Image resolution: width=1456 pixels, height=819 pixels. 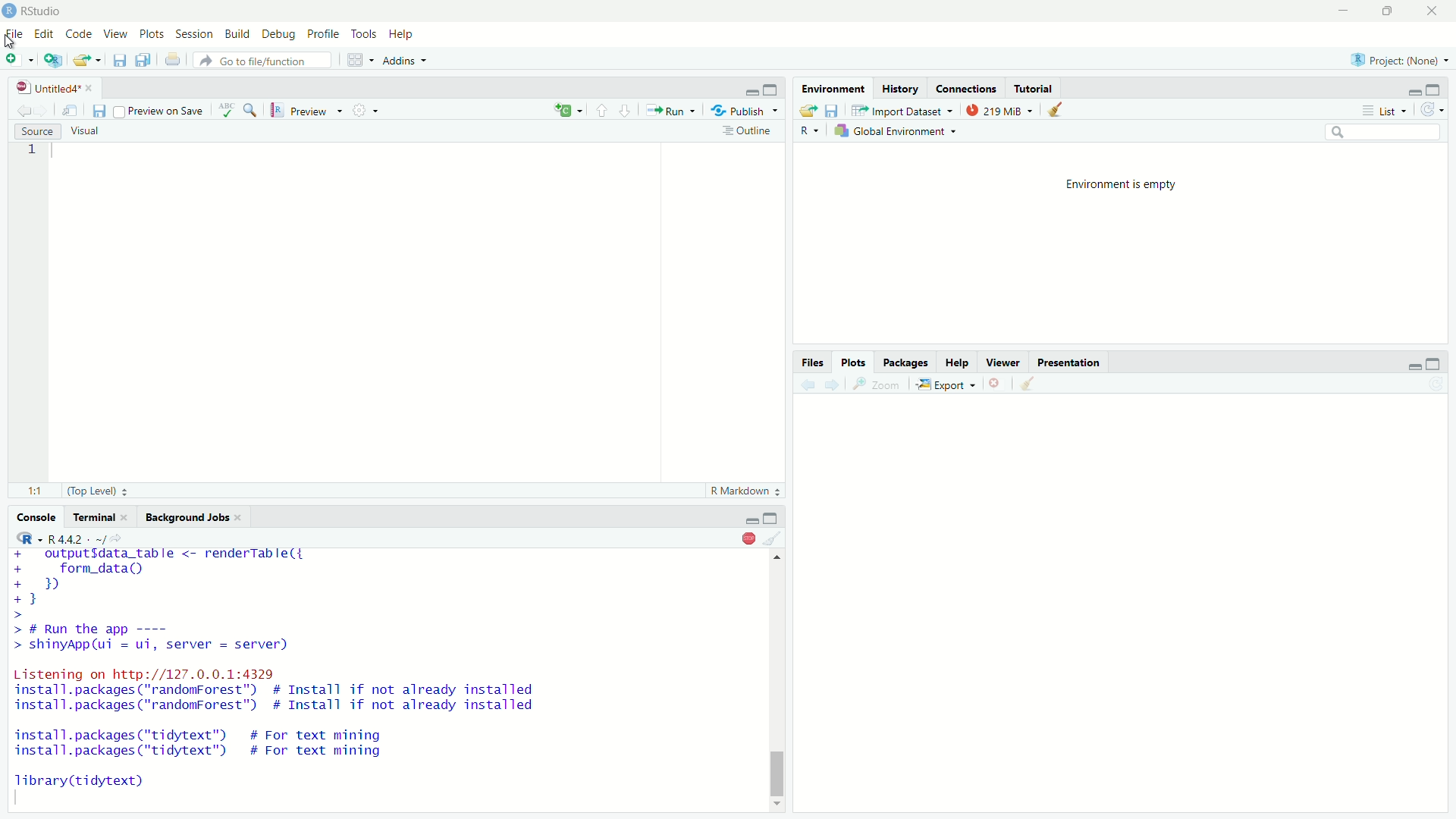 I want to click on Maximize pane, so click(x=1436, y=87).